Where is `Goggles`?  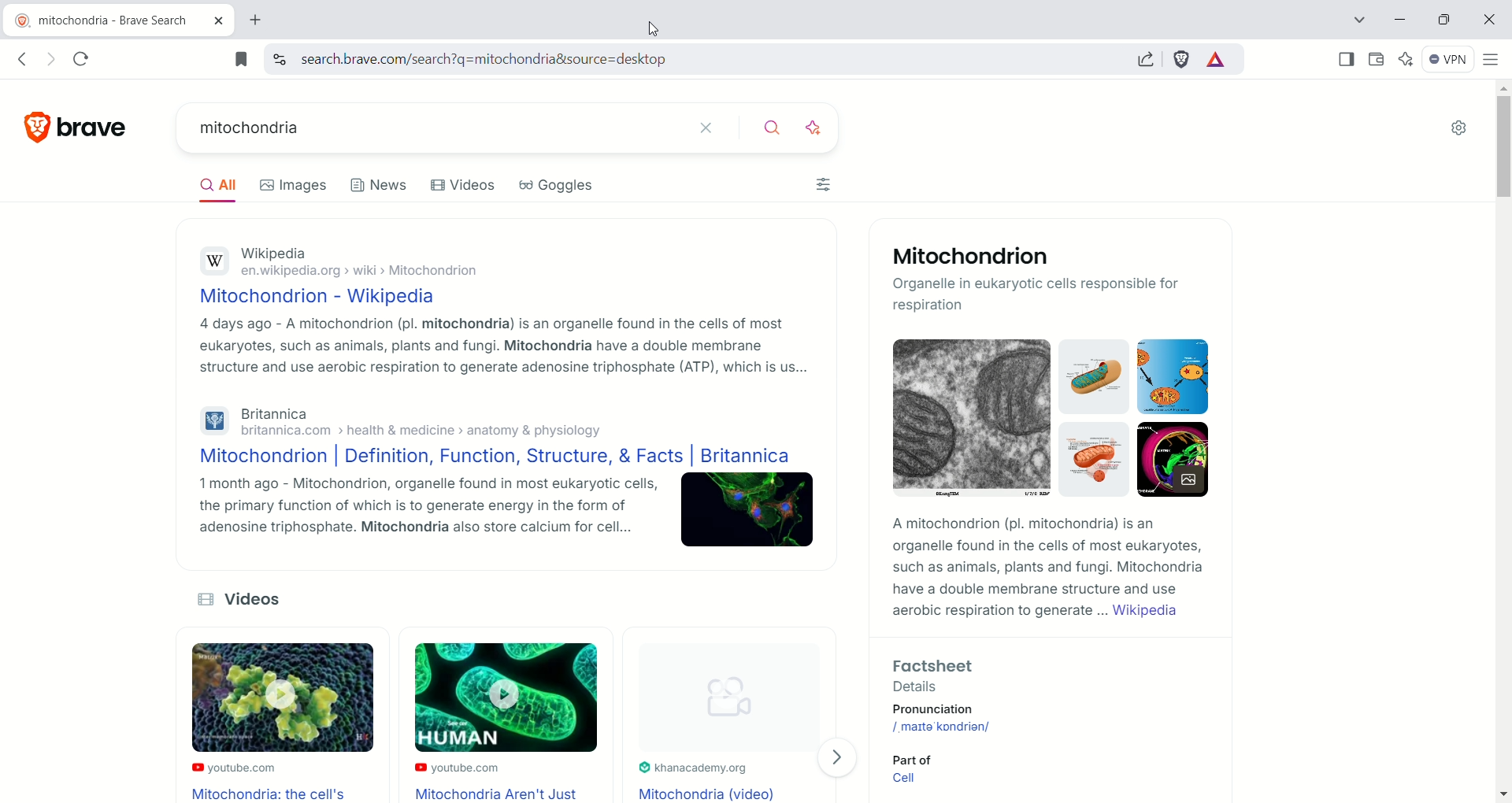
Goggles is located at coordinates (556, 186).